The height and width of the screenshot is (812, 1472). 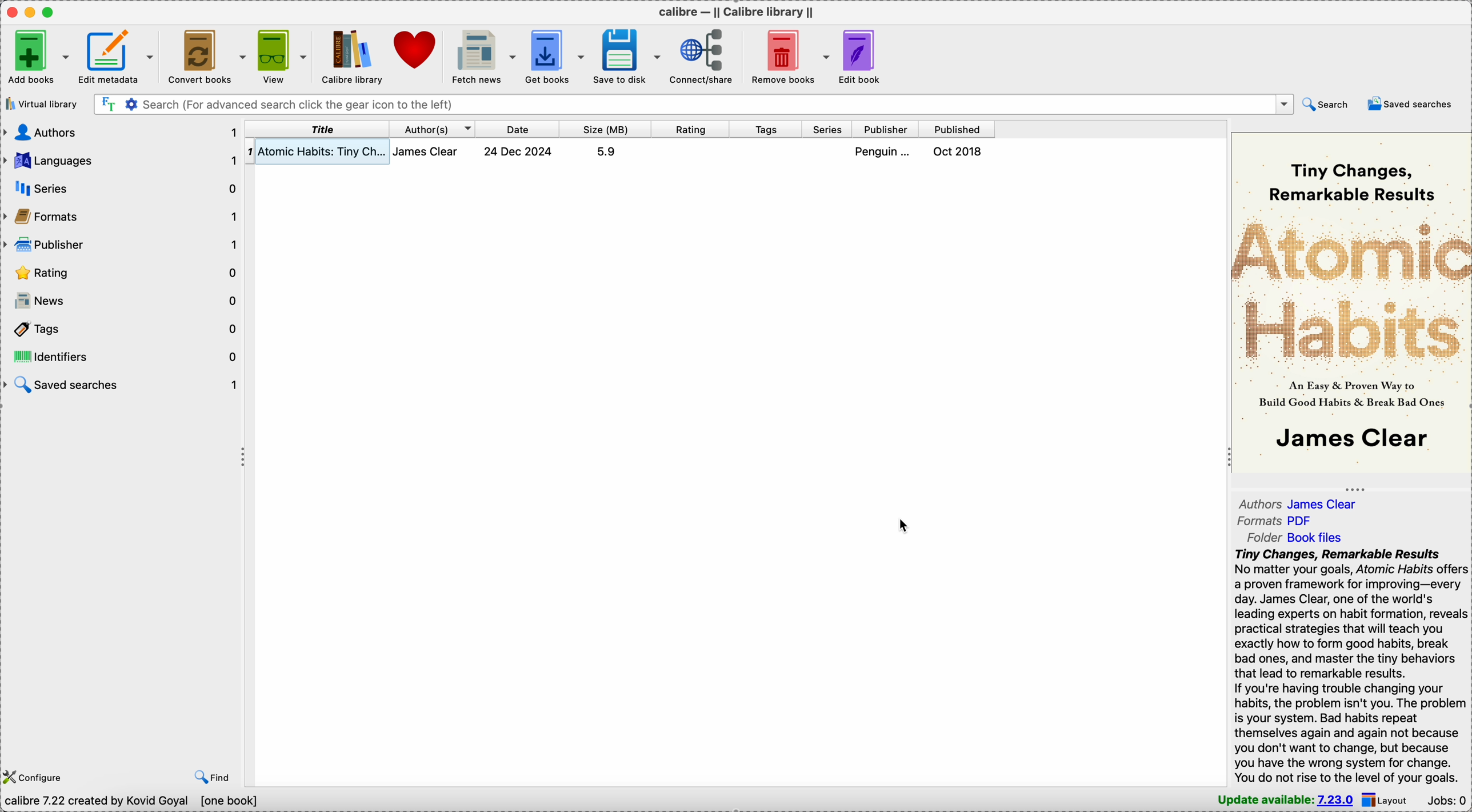 I want to click on Calibre - || calibre library ||, so click(x=734, y=11).